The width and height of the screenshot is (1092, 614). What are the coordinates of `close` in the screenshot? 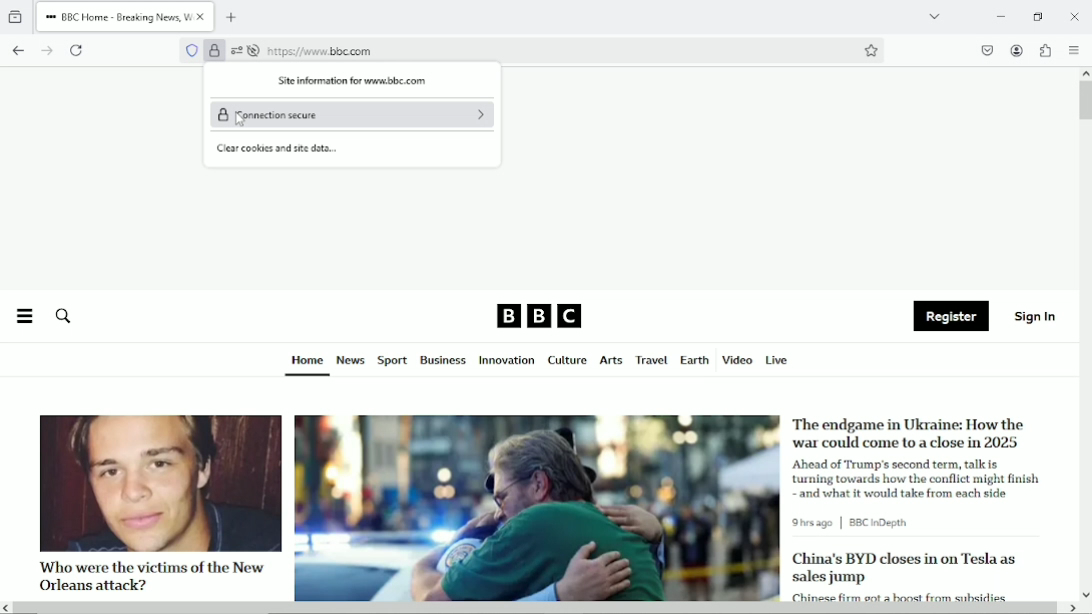 It's located at (1074, 15).